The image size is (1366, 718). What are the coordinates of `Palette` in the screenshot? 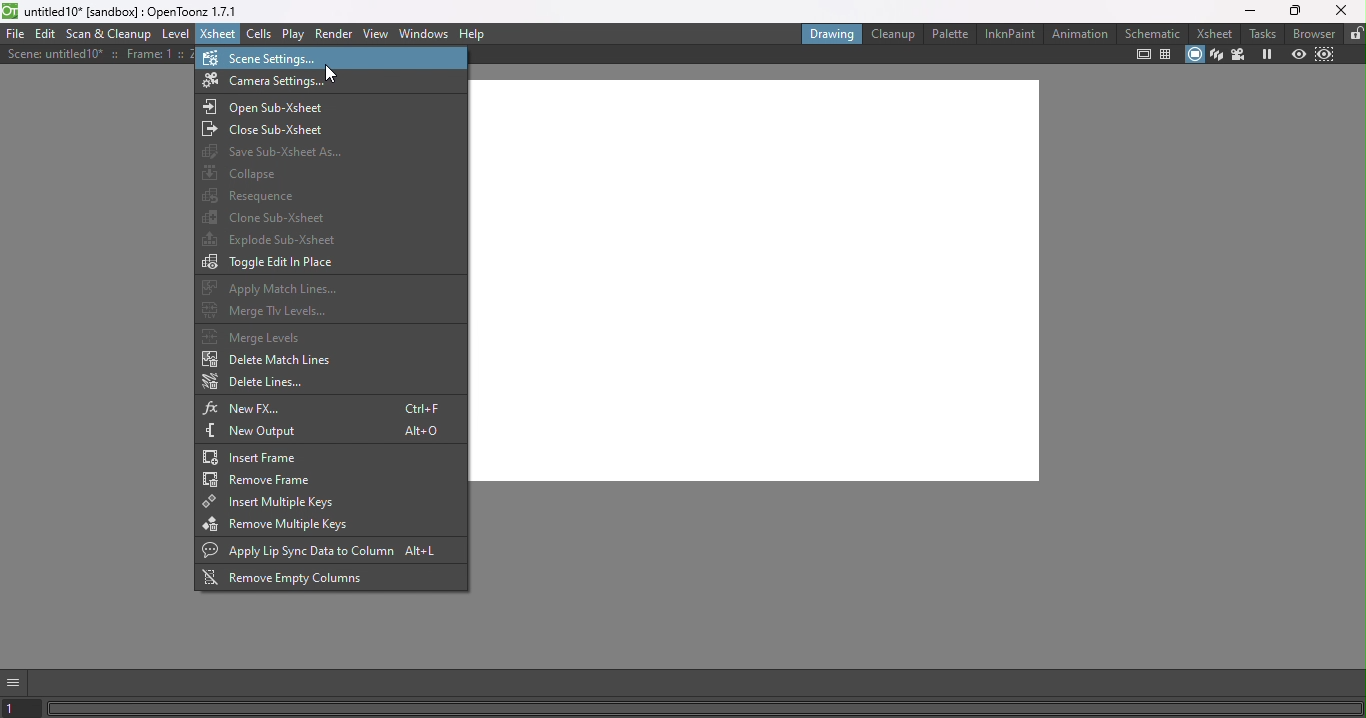 It's located at (949, 33).